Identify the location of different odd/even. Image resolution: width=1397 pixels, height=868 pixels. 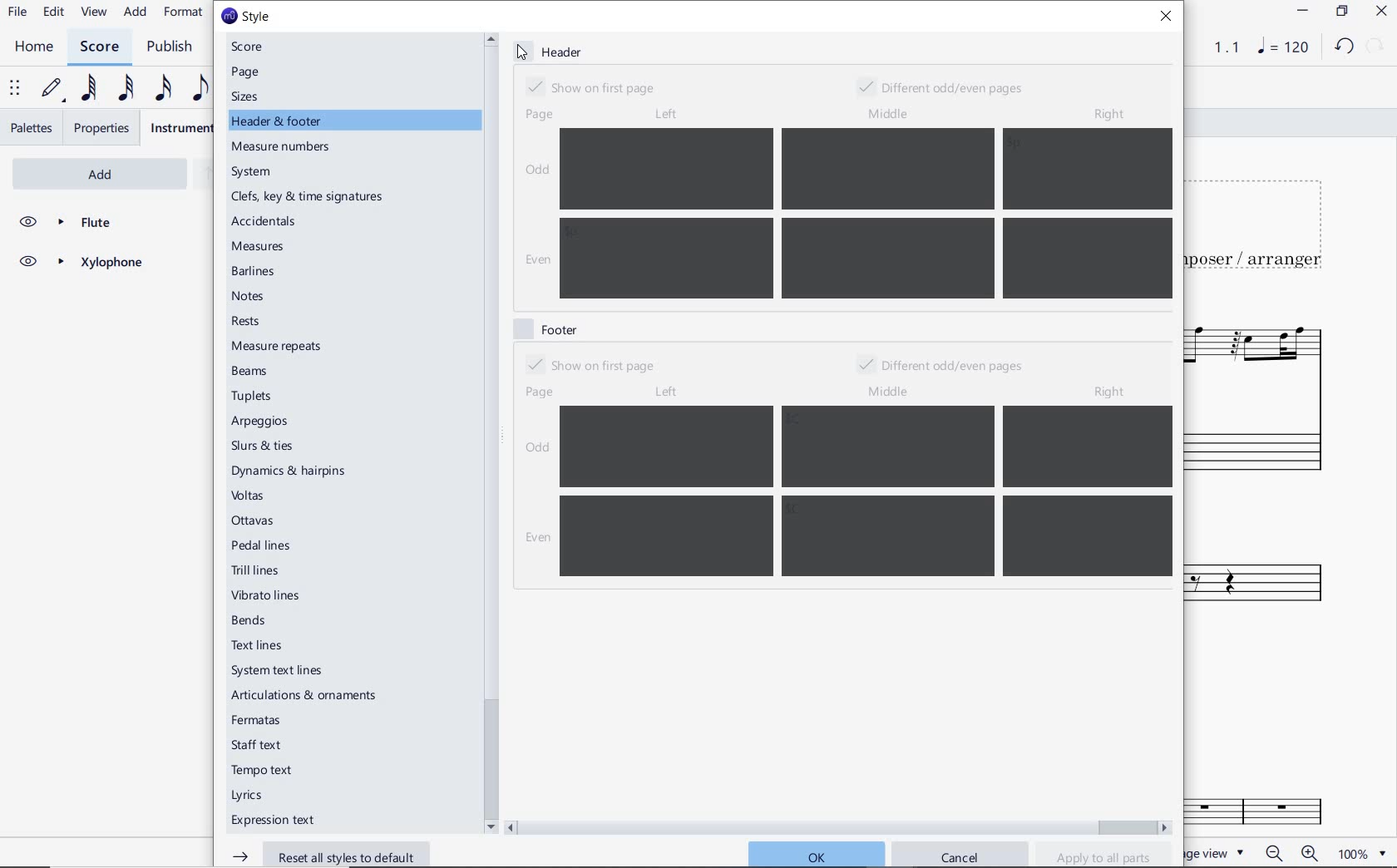
(942, 367).